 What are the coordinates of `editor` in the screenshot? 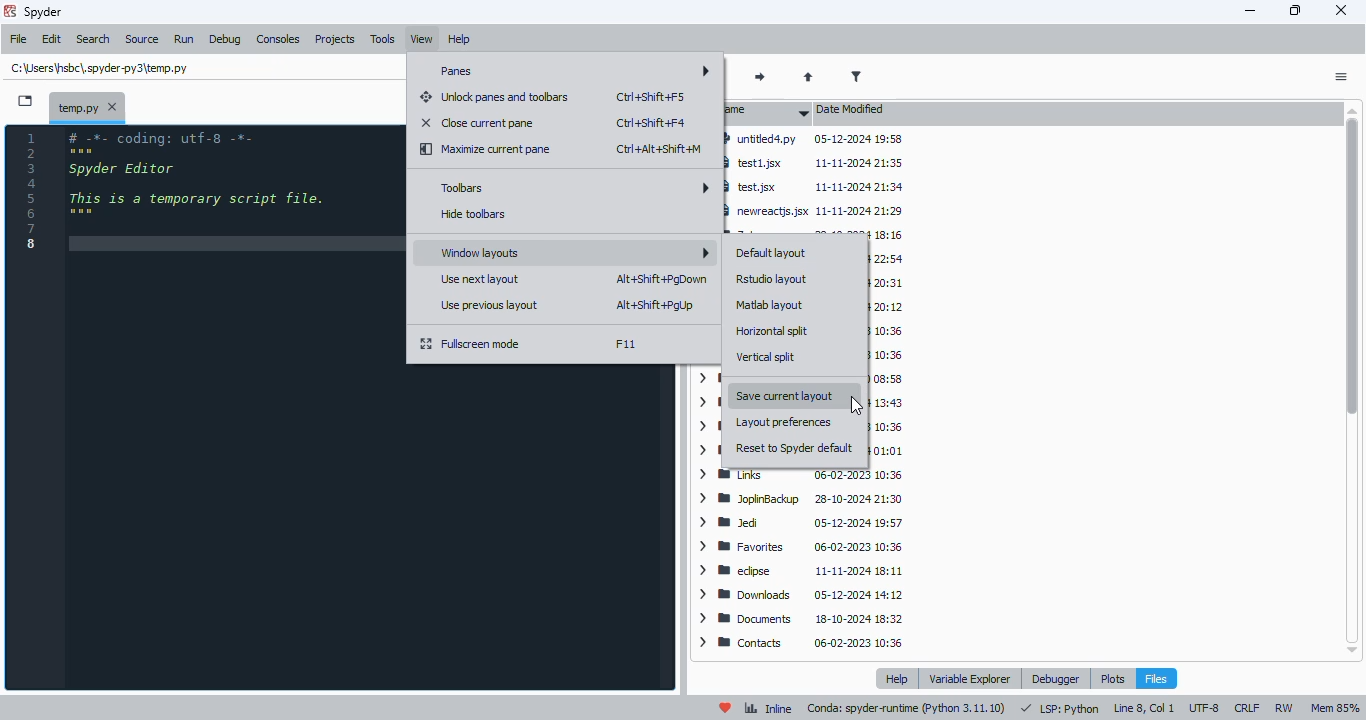 It's located at (230, 408).